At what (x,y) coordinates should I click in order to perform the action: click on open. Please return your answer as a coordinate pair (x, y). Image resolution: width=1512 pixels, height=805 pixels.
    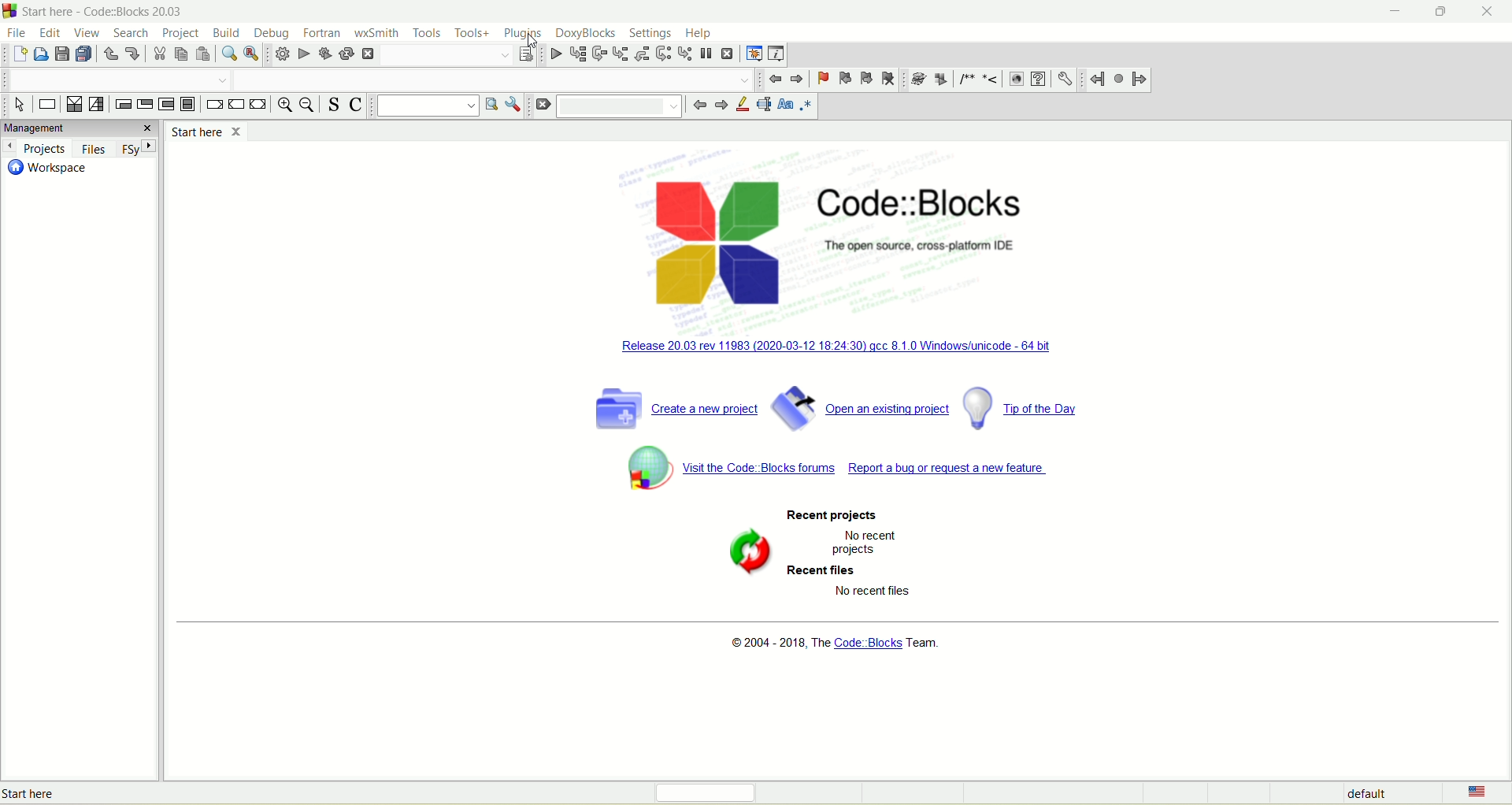
    Looking at the image, I should click on (39, 57).